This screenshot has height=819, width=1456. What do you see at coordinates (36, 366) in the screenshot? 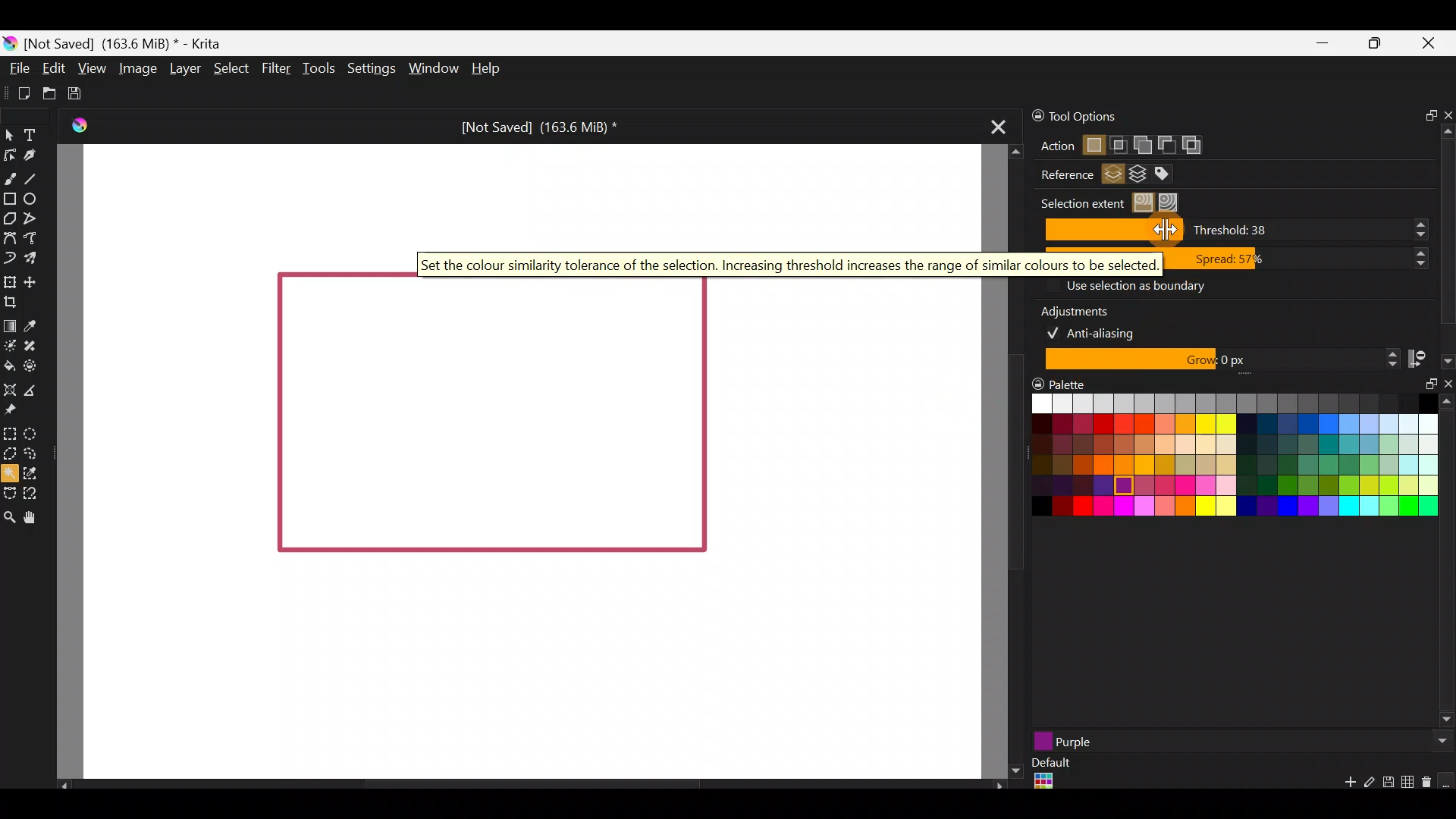
I see `Enclose & fill tool` at bounding box center [36, 366].